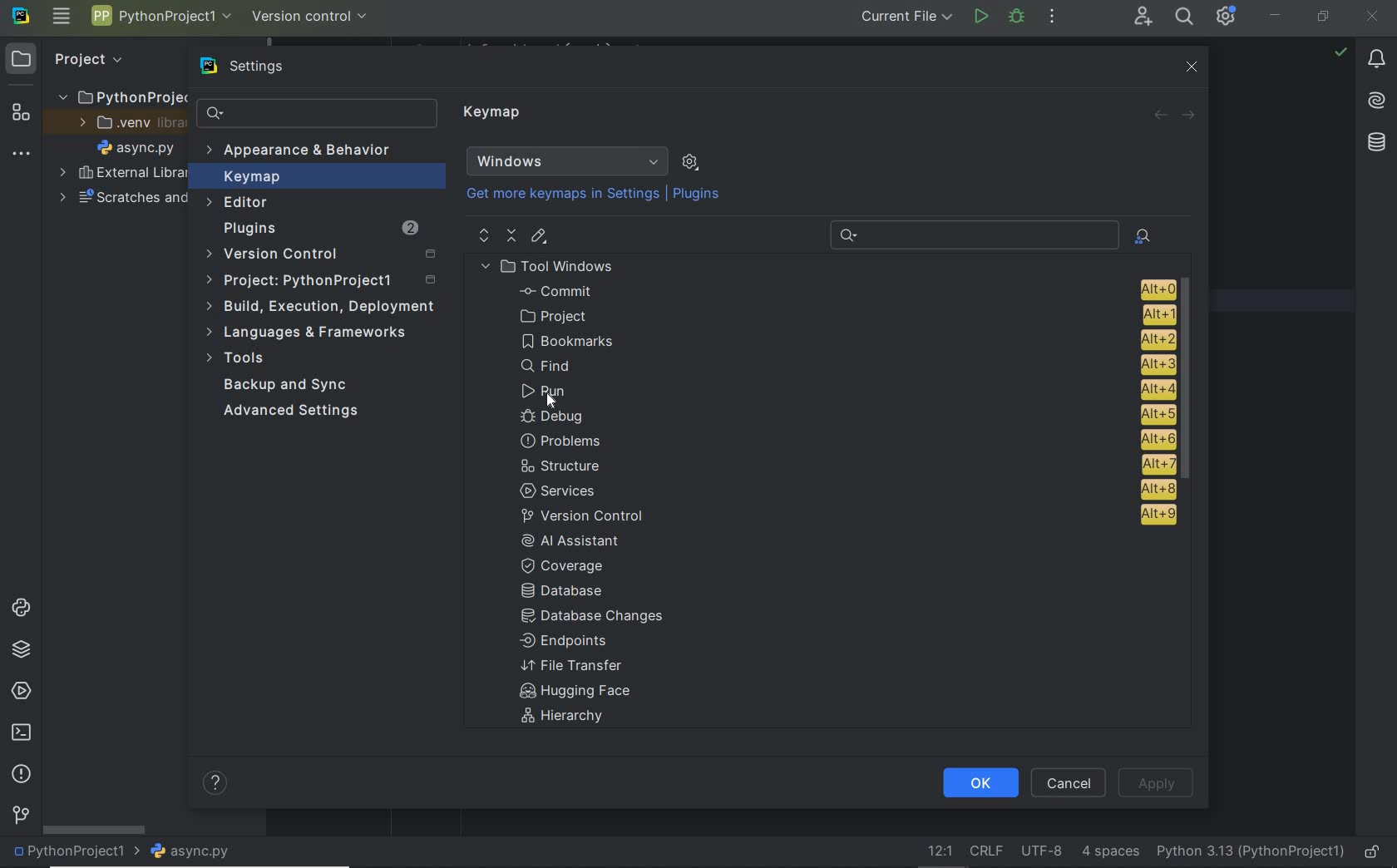  I want to click on current interpreter, so click(1251, 853).